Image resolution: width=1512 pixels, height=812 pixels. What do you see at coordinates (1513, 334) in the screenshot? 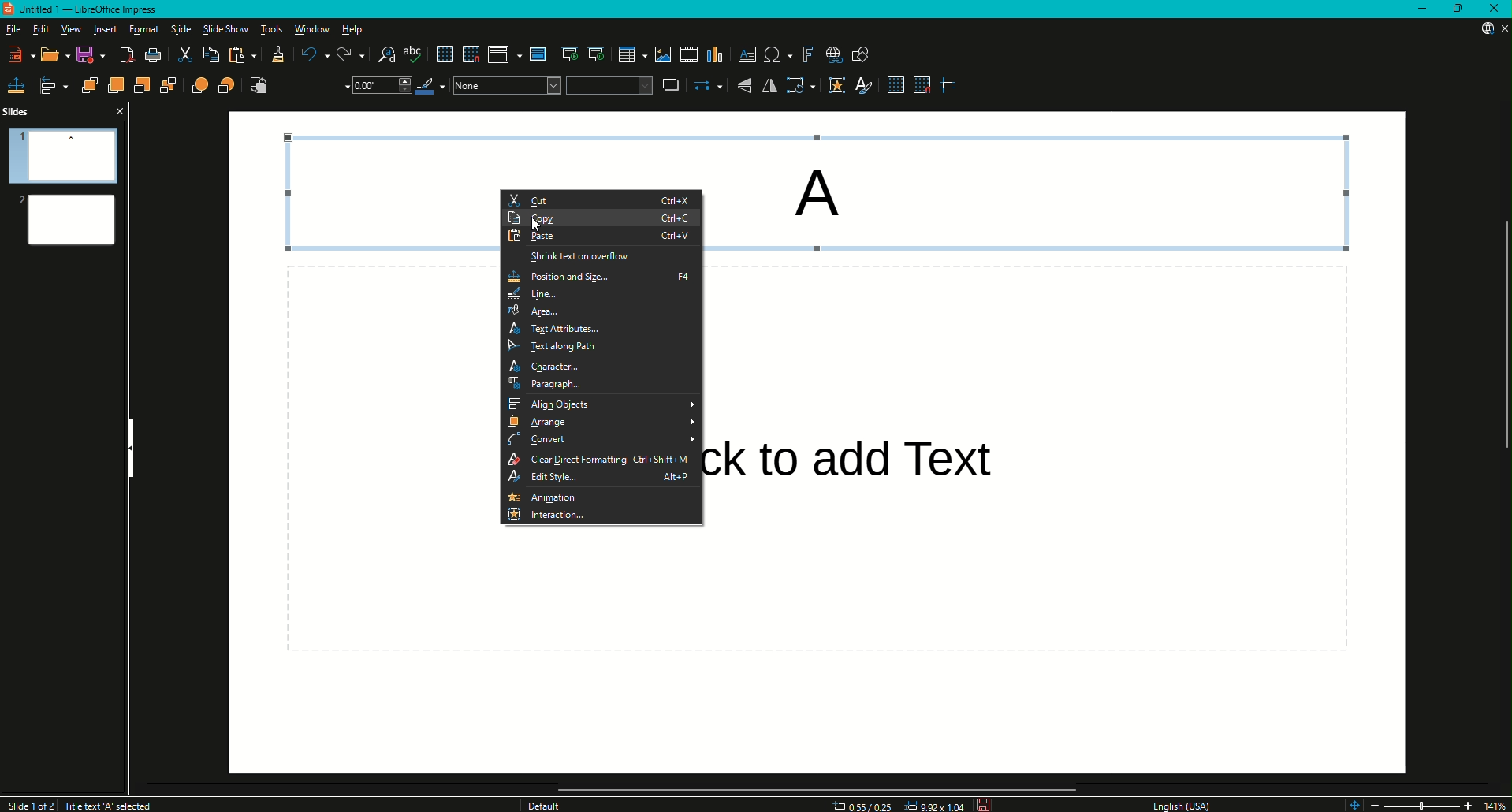
I see `Scroll` at bounding box center [1513, 334].